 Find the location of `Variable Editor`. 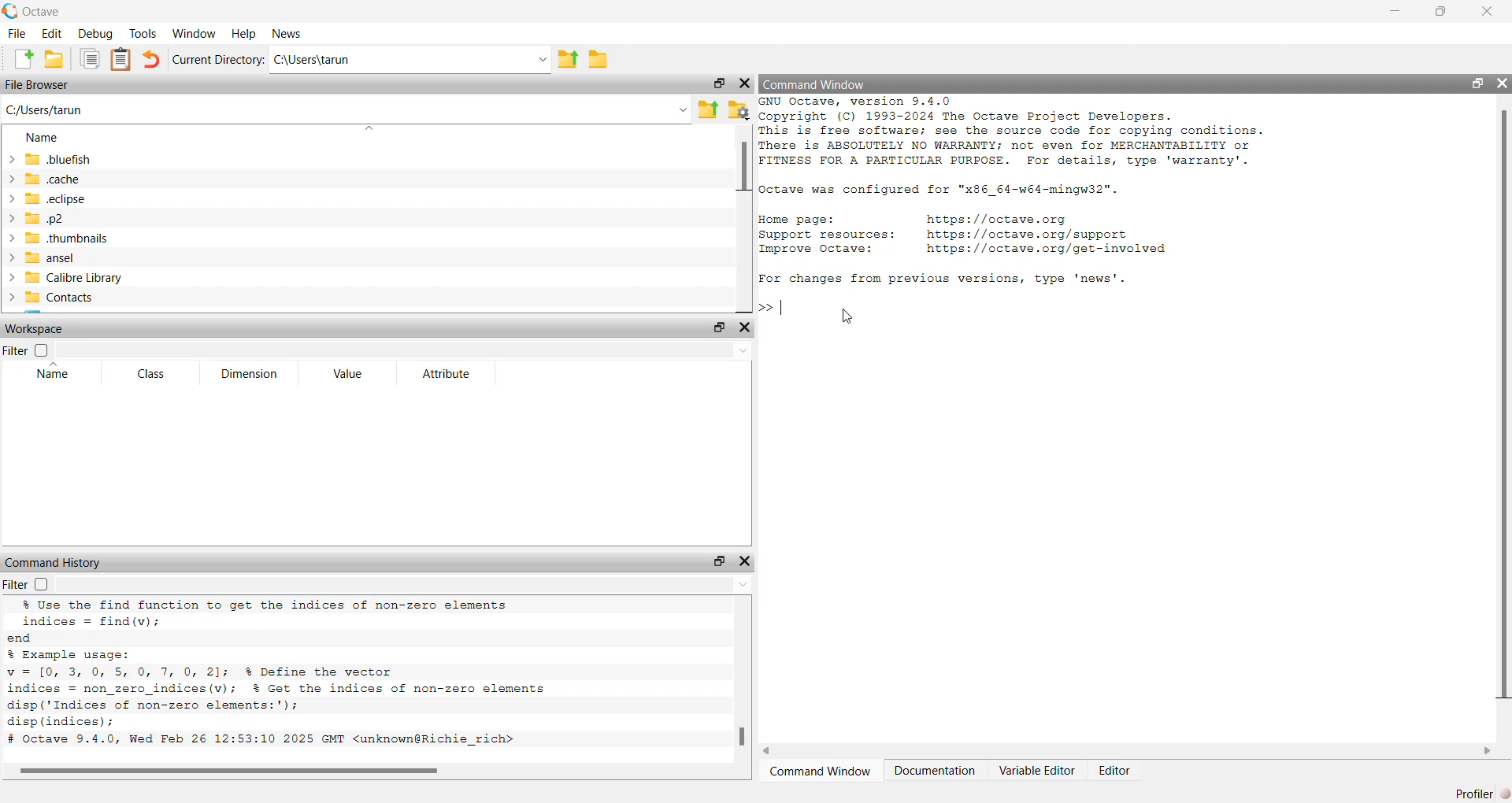

Variable Editor is located at coordinates (1036, 772).